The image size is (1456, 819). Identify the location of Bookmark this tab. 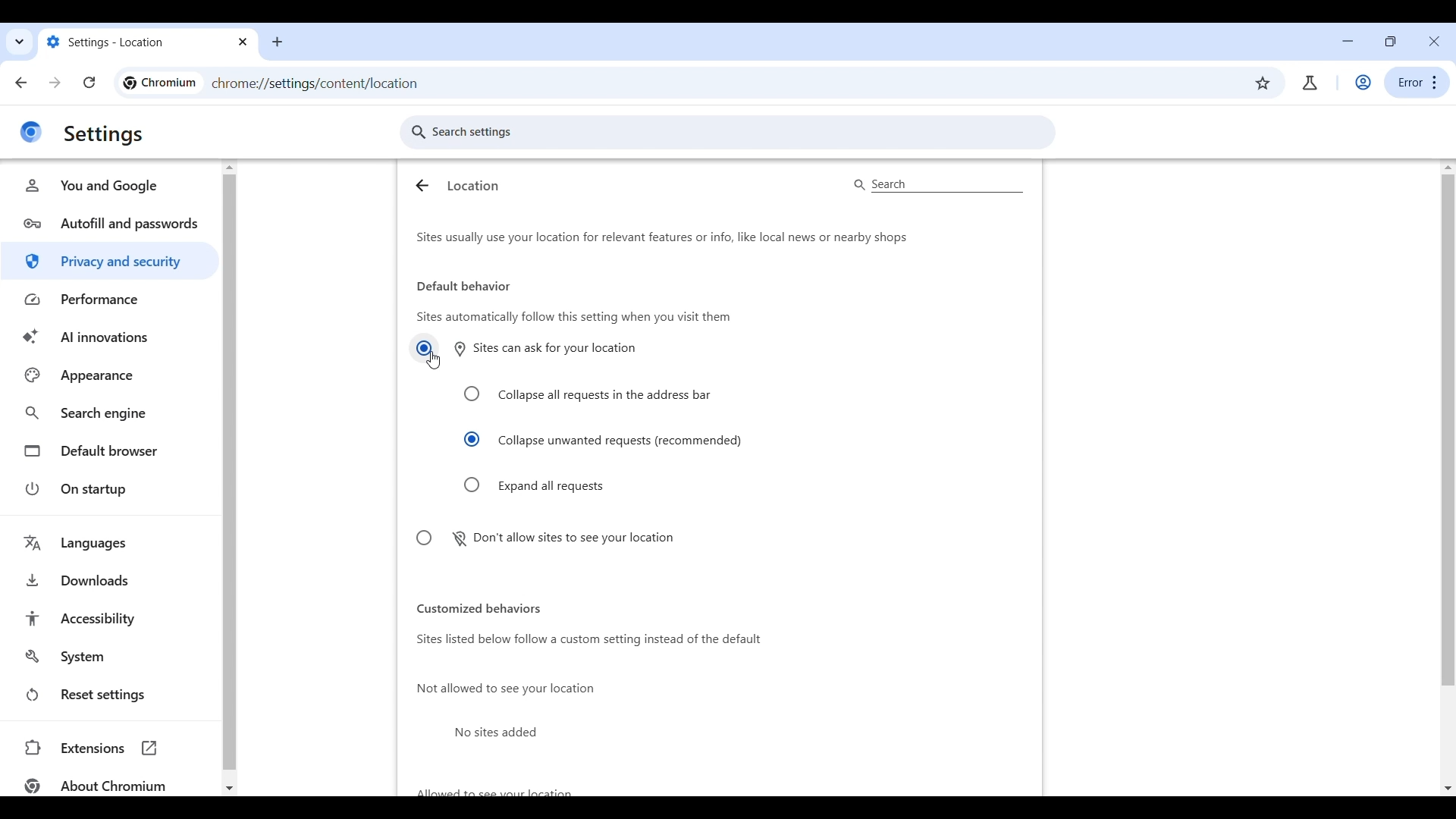
(1263, 83).